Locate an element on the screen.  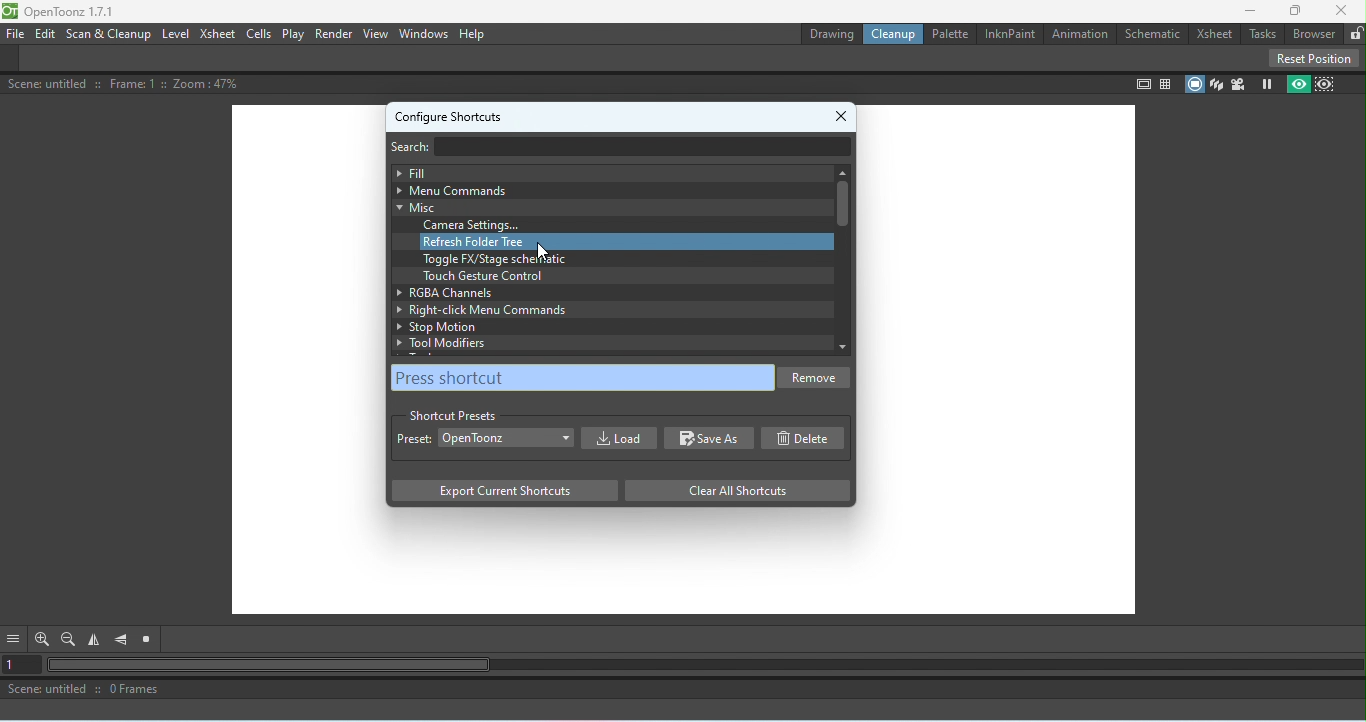
Refresh folder tree is located at coordinates (626, 242).